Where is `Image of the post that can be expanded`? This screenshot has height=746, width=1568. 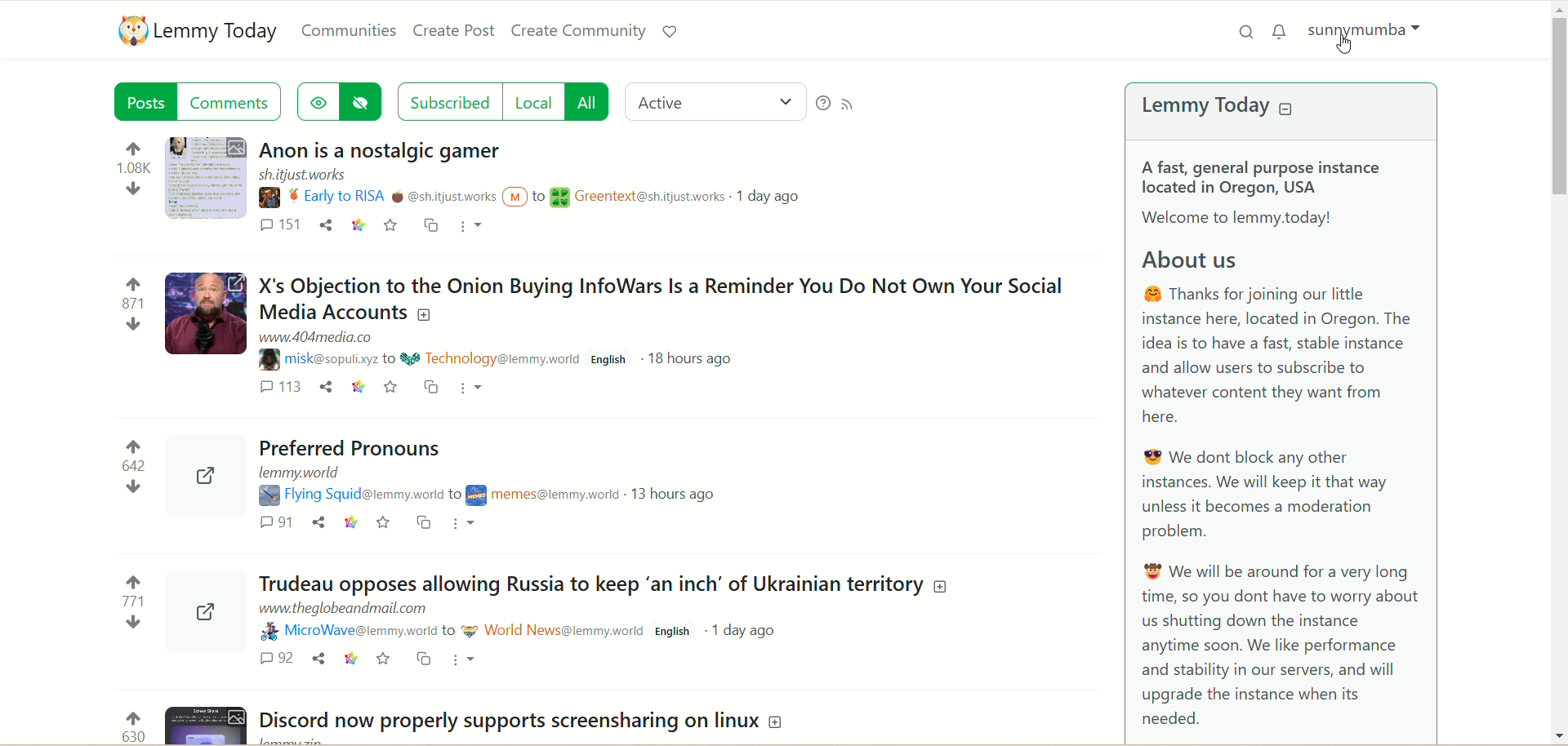
Image of the post that can be expanded is located at coordinates (203, 307).